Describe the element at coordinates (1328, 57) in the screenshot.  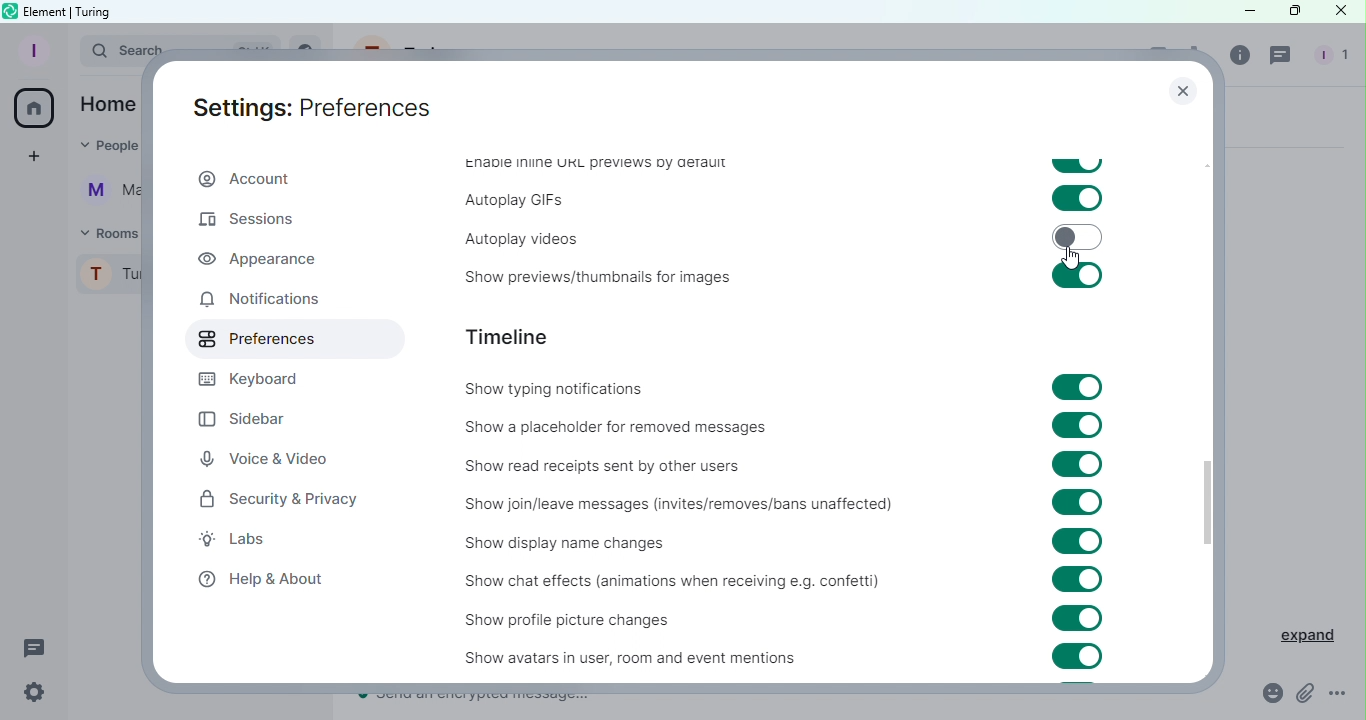
I see `People` at that location.